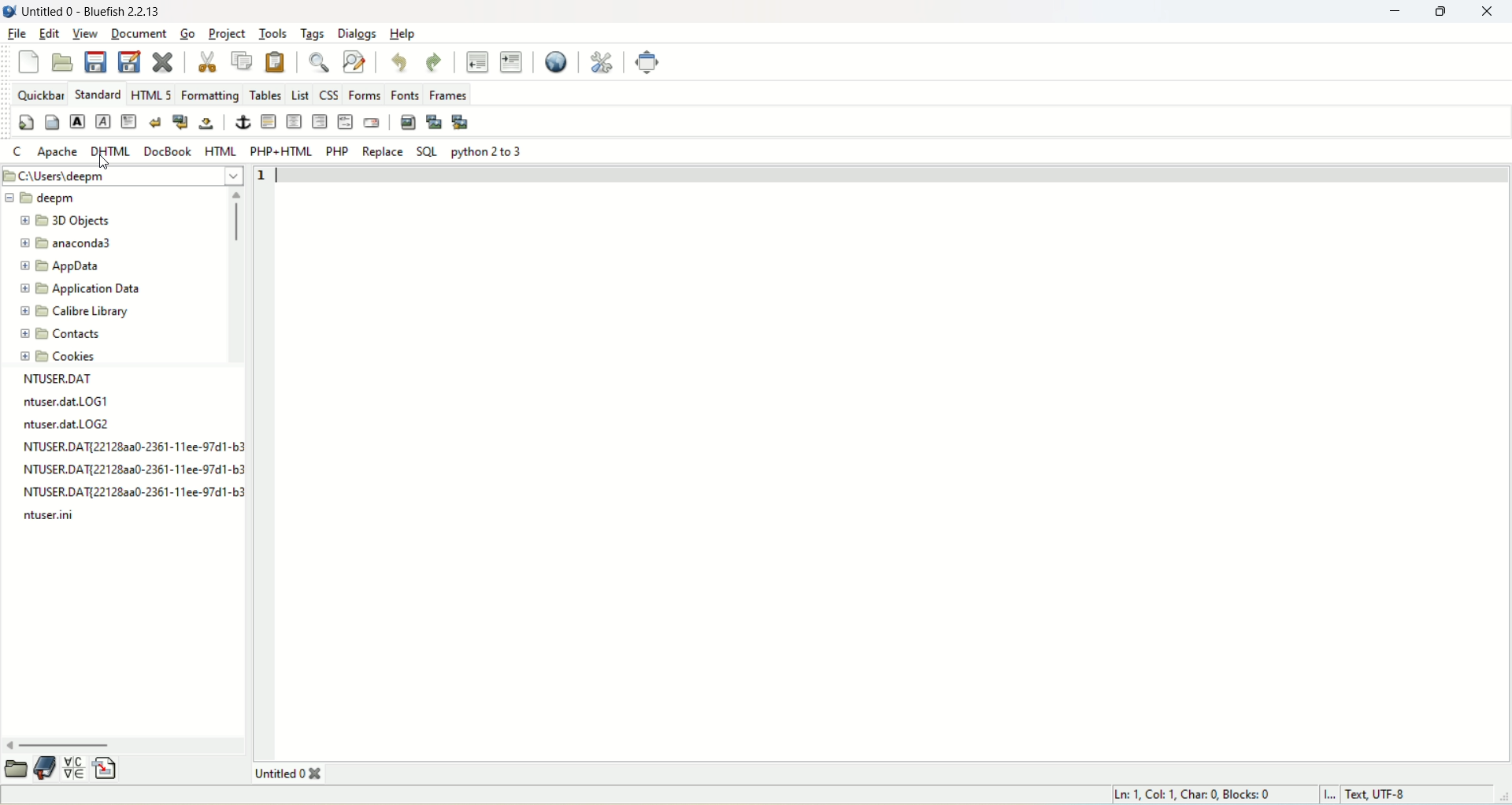 This screenshot has width=1512, height=805. What do you see at coordinates (328, 93) in the screenshot?
I see `CSS` at bounding box center [328, 93].